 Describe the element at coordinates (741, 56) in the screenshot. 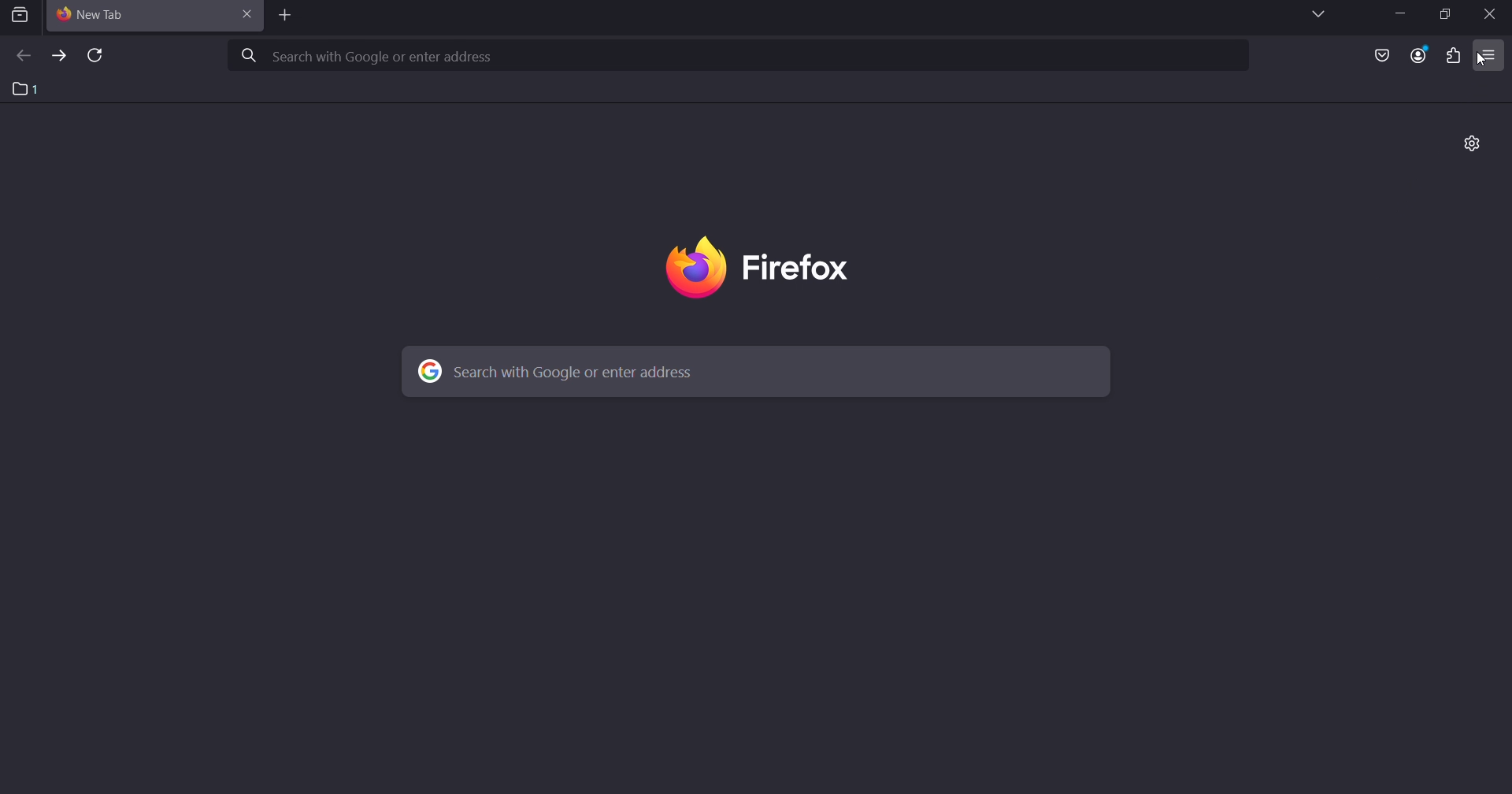

I see `search with google or enter address` at that location.